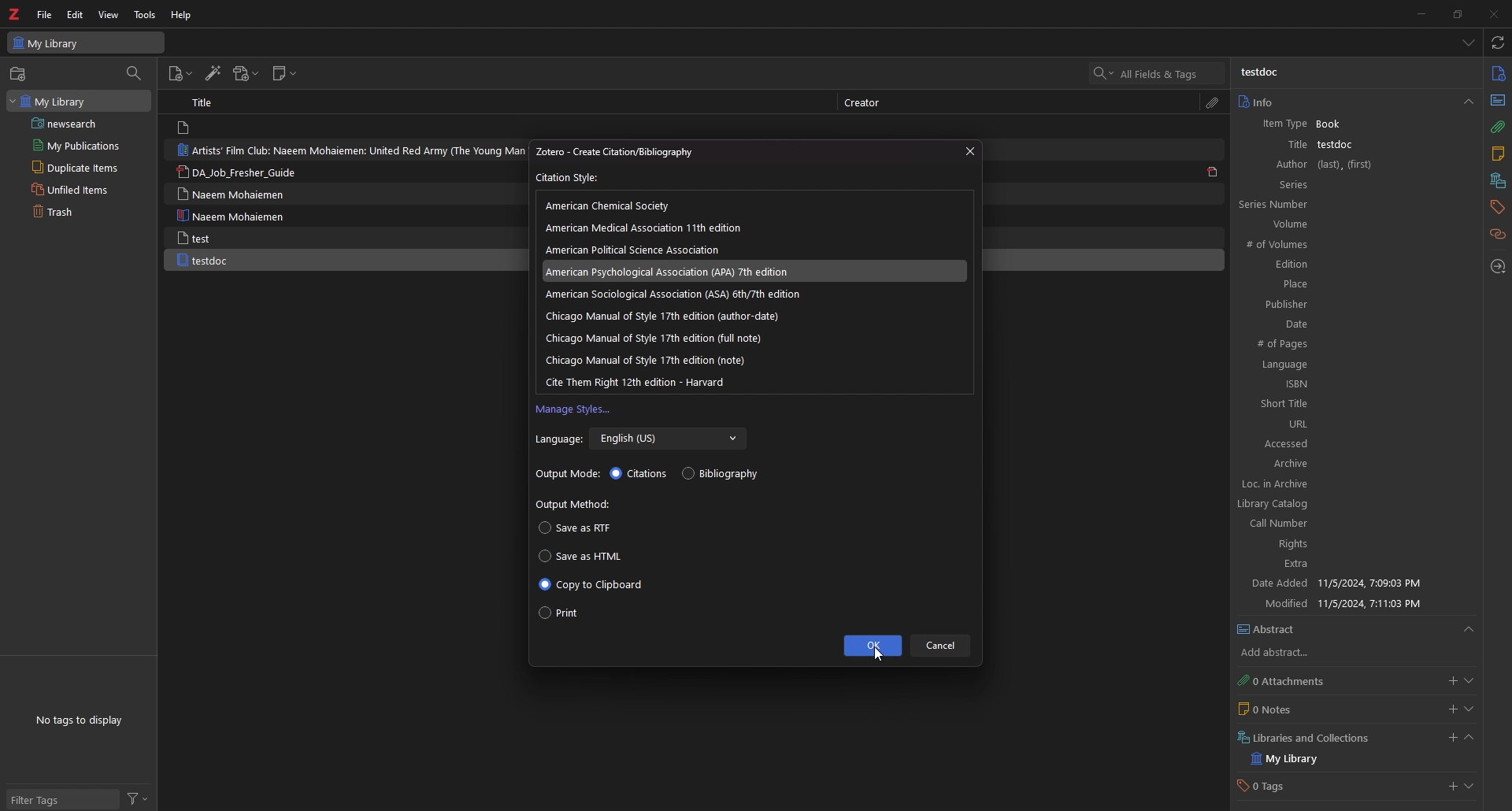 The width and height of the screenshot is (1512, 811). What do you see at coordinates (186, 128) in the screenshot?
I see `file logo` at bounding box center [186, 128].